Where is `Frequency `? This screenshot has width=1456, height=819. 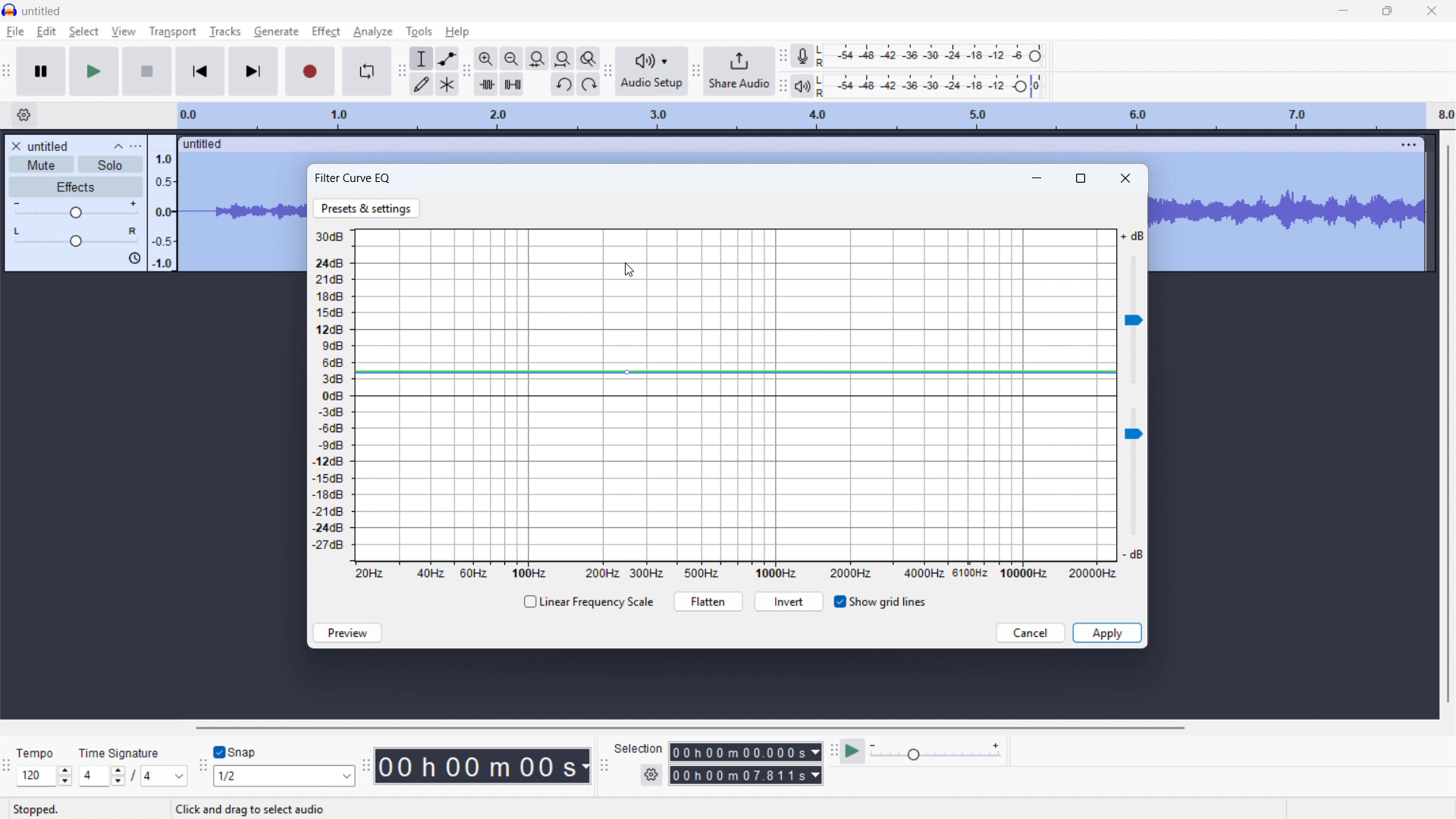 Frequency  is located at coordinates (735, 572).